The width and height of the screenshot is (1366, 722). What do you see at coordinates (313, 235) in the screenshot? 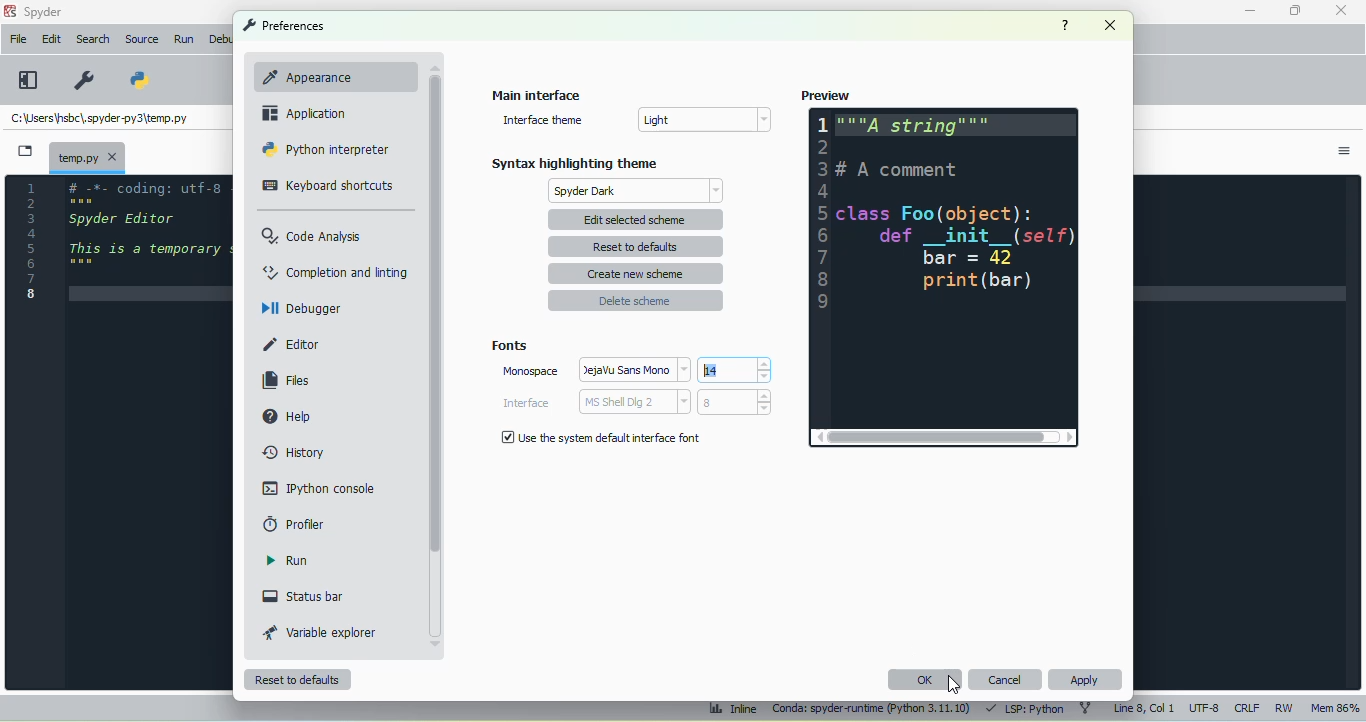
I see `code analysis` at bounding box center [313, 235].